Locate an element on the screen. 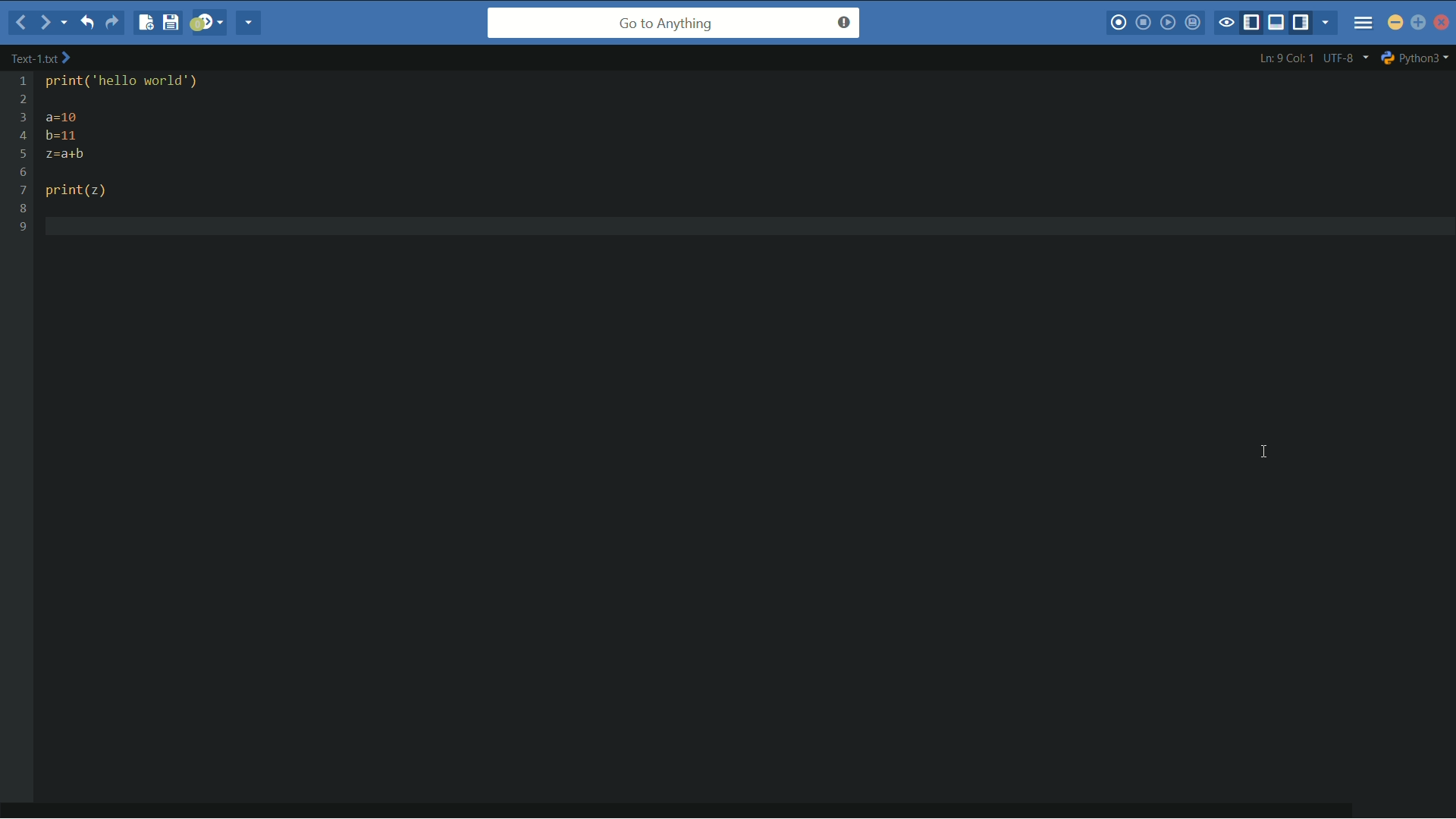 The width and height of the screenshot is (1456, 819). menu is located at coordinates (1363, 22).